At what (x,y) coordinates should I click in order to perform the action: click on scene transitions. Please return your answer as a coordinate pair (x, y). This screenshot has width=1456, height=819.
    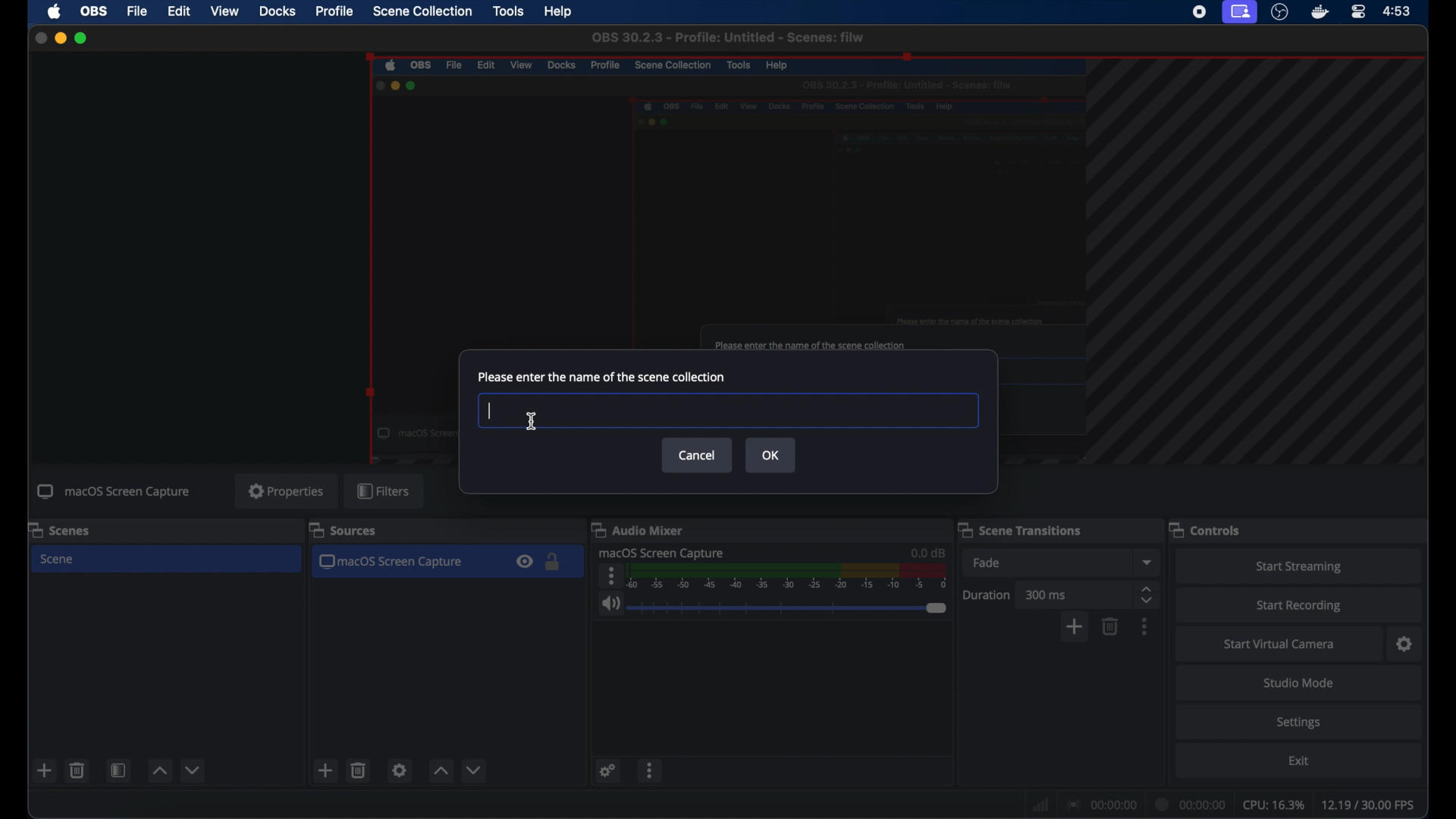
    Looking at the image, I should click on (1021, 529).